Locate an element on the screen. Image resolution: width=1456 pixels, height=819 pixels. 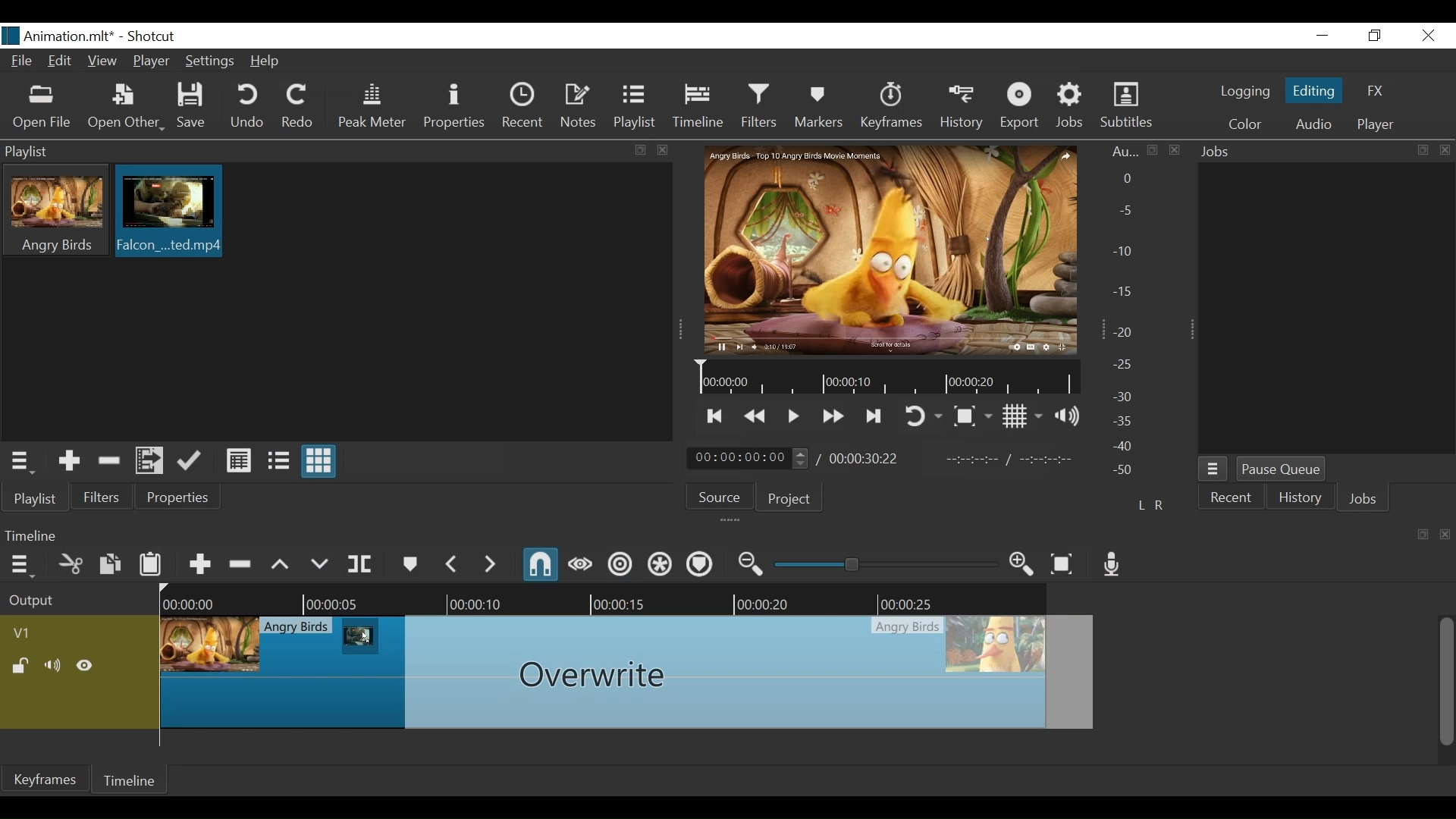
Source is located at coordinates (720, 497).